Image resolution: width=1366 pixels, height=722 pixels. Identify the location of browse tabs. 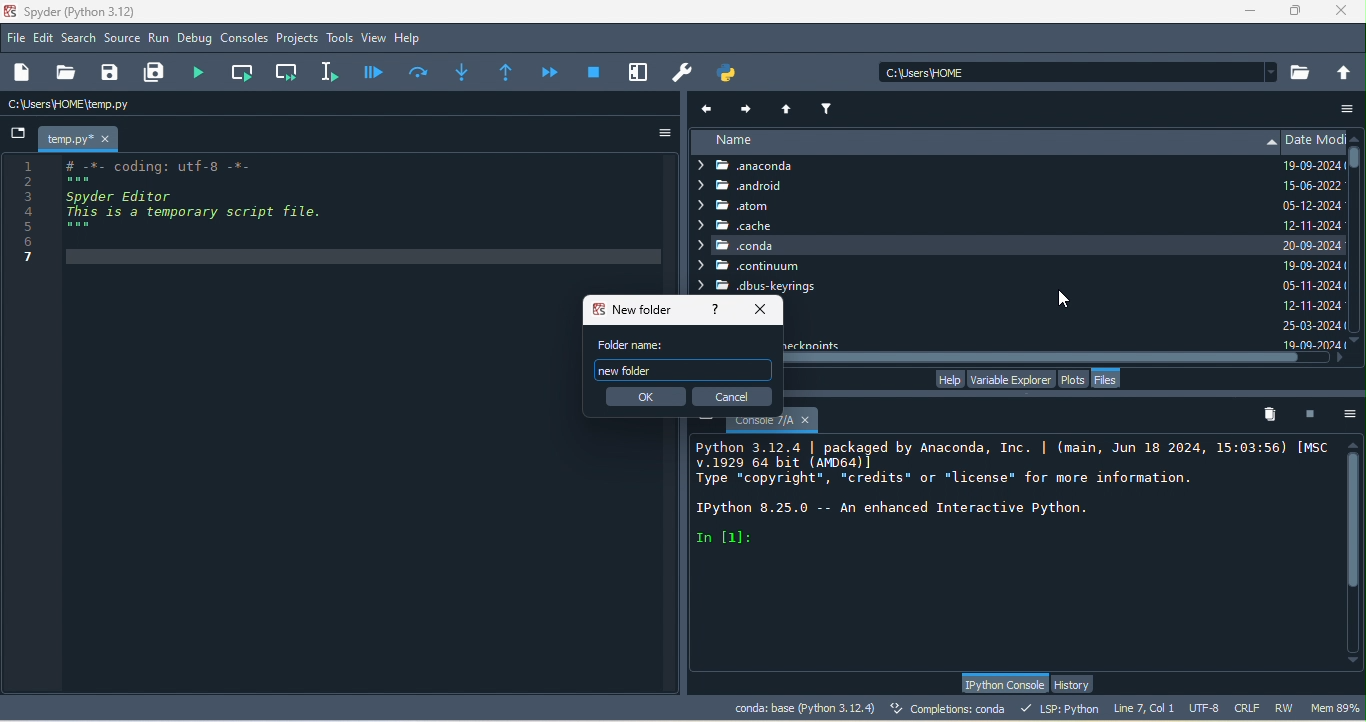
(18, 135).